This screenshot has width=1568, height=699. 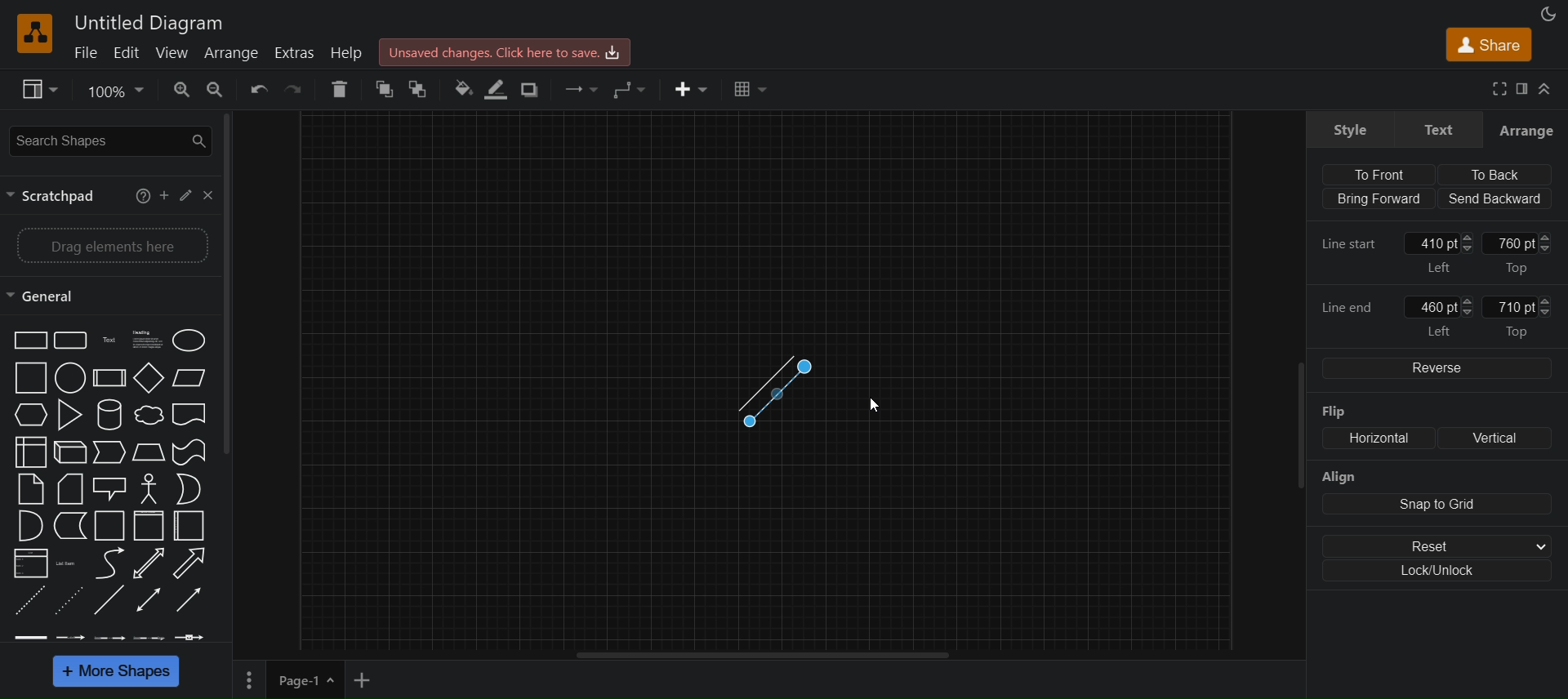 I want to click on arrange, so click(x=233, y=52).